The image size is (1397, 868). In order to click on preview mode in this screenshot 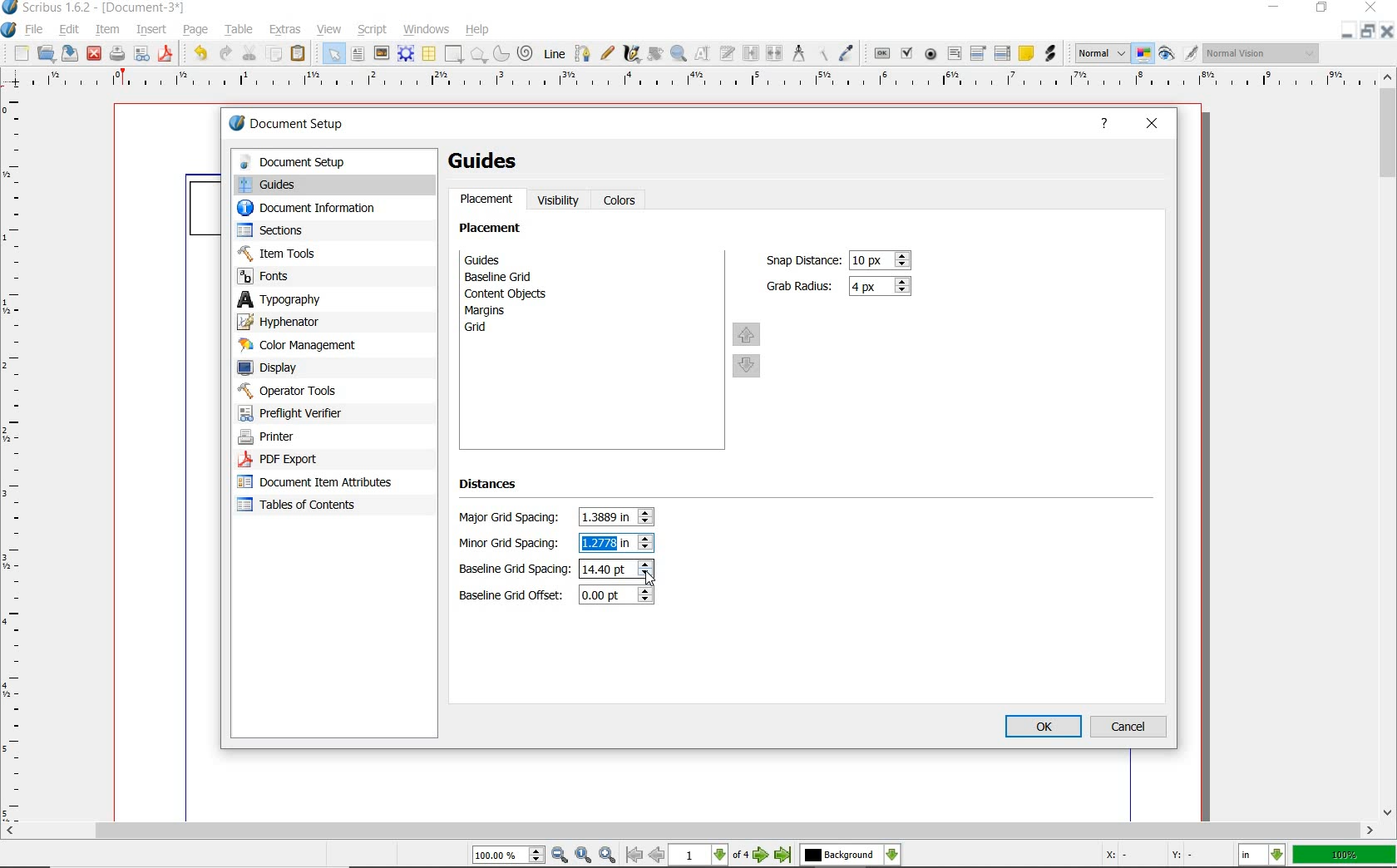, I will do `click(1178, 52)`.